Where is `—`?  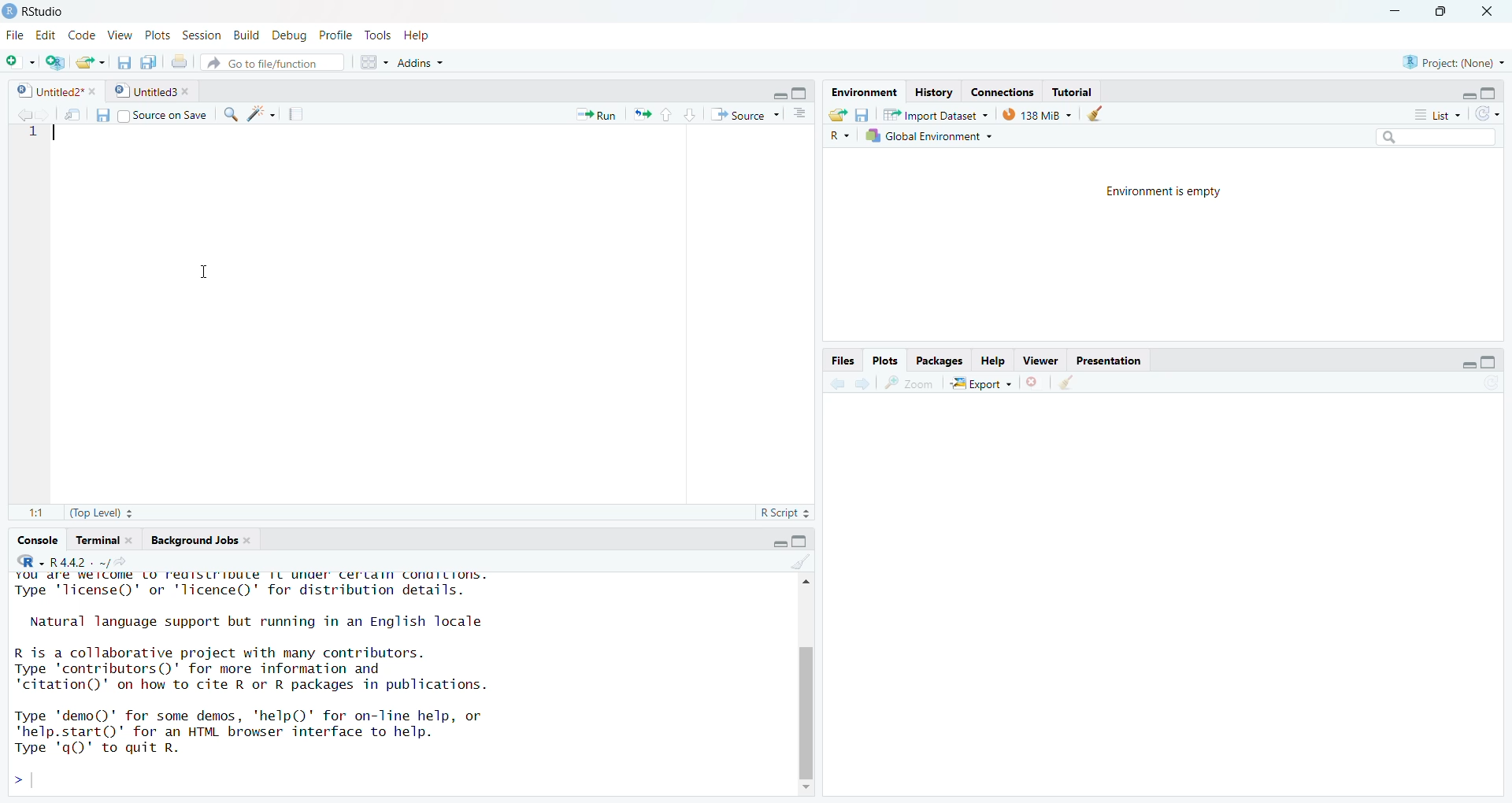 — is located at coordinates (1043, 359).